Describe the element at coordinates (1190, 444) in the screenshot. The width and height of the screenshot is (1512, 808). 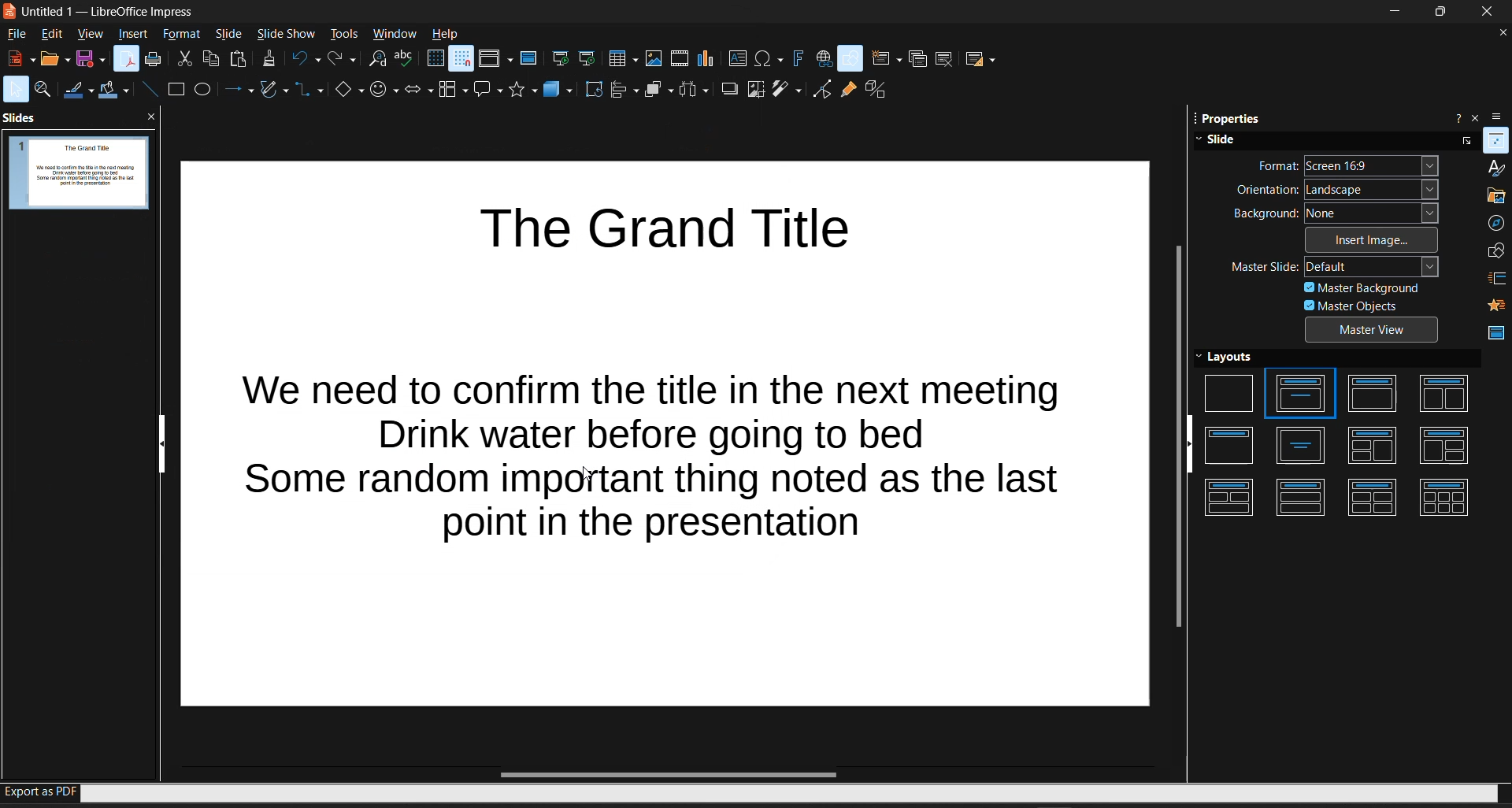
I see `hide` at that location.